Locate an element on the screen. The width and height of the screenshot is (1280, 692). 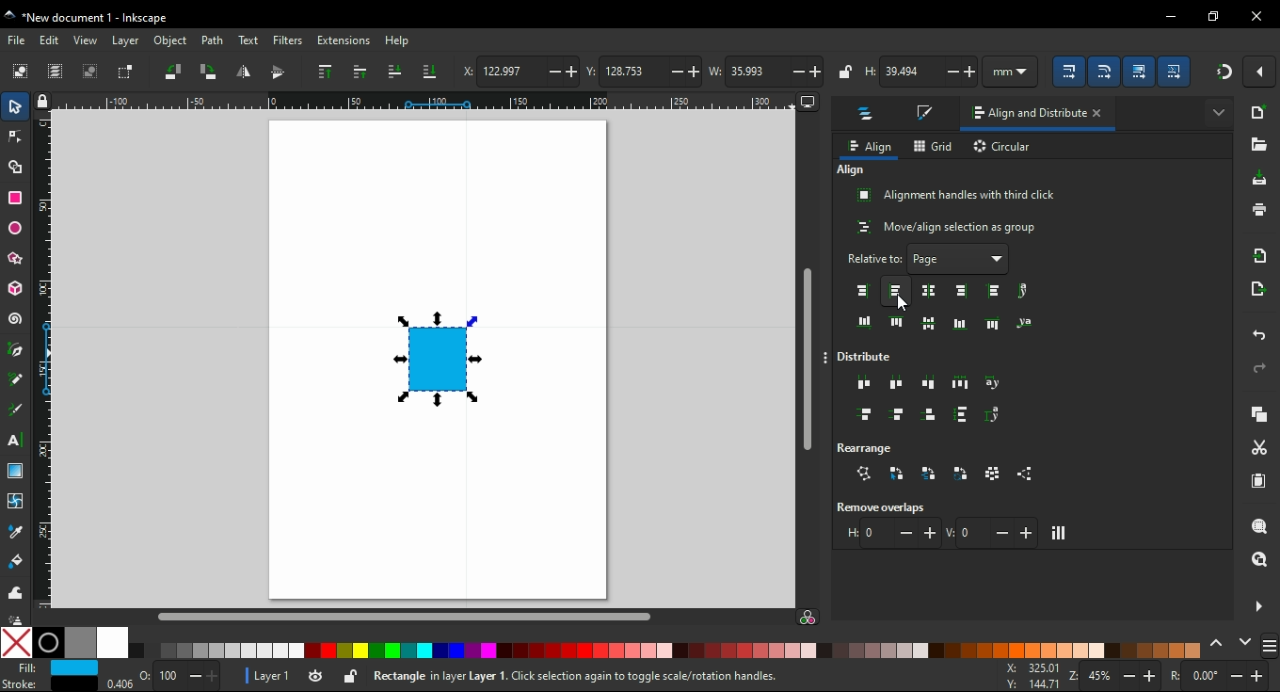
show is located at coordinates (1000, 259).